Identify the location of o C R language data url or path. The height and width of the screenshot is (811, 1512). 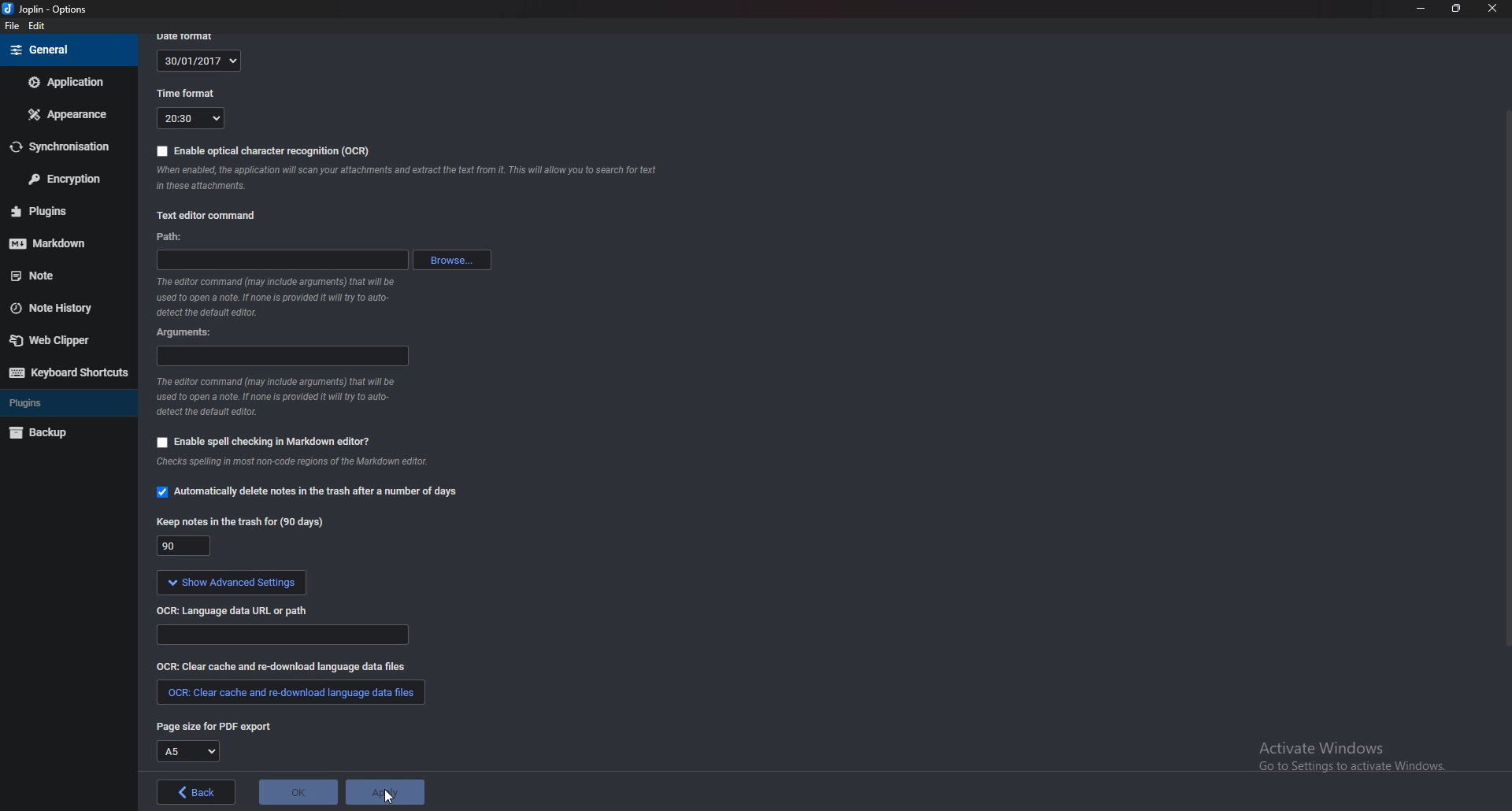
(234, 613).